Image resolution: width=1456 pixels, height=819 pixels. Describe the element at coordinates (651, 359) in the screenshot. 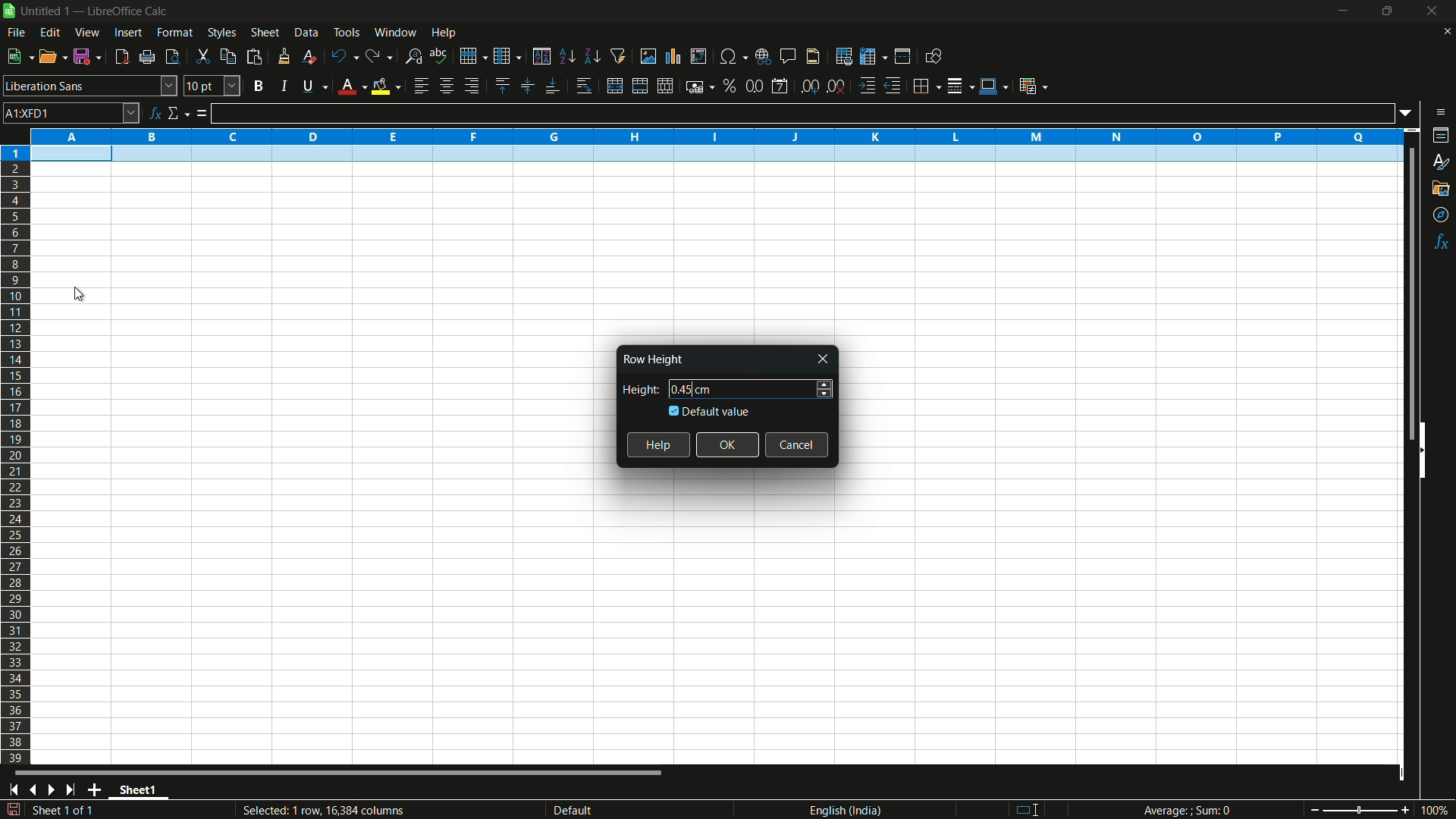

I see `Row Height` at that location.